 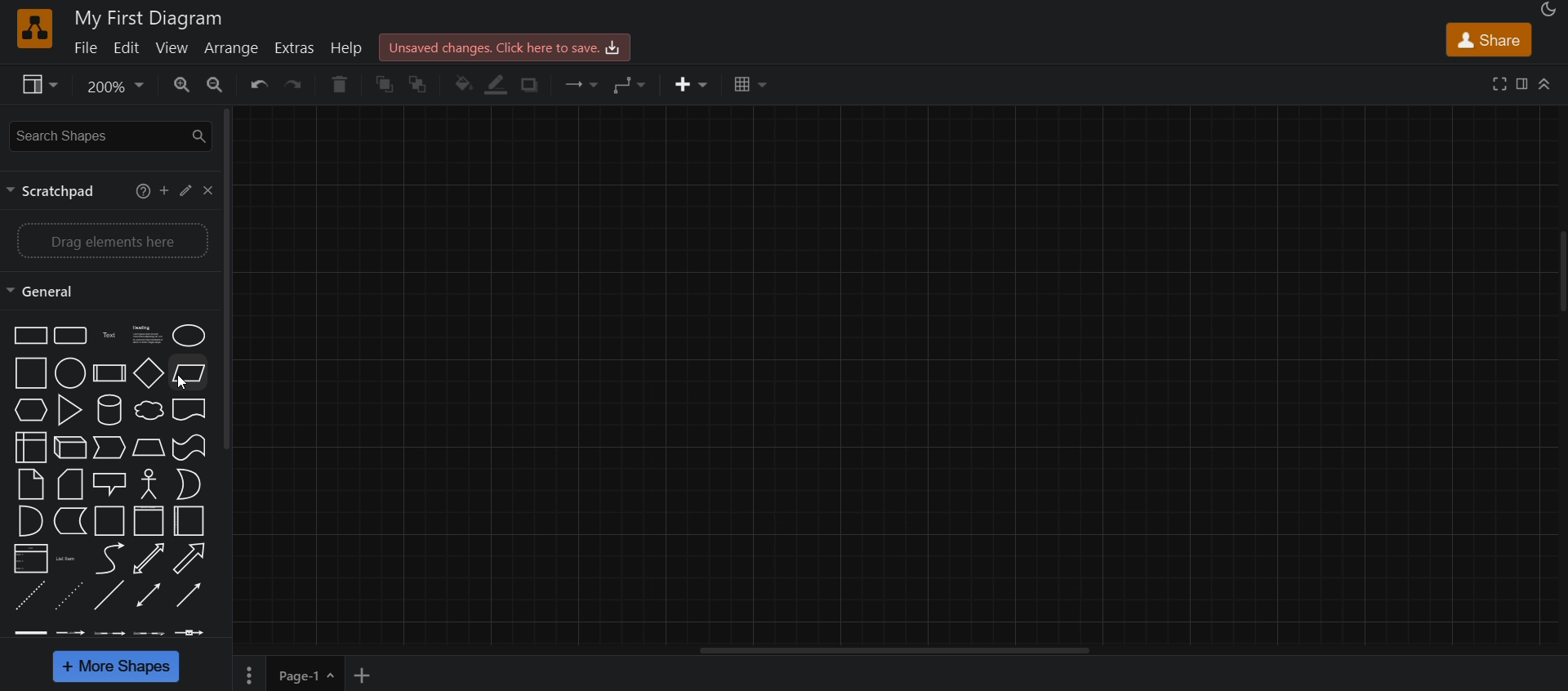 What do you see at coordinates (510, 46) in the screenshot?
I see `click here to save.` at bounding box center [510, 46].